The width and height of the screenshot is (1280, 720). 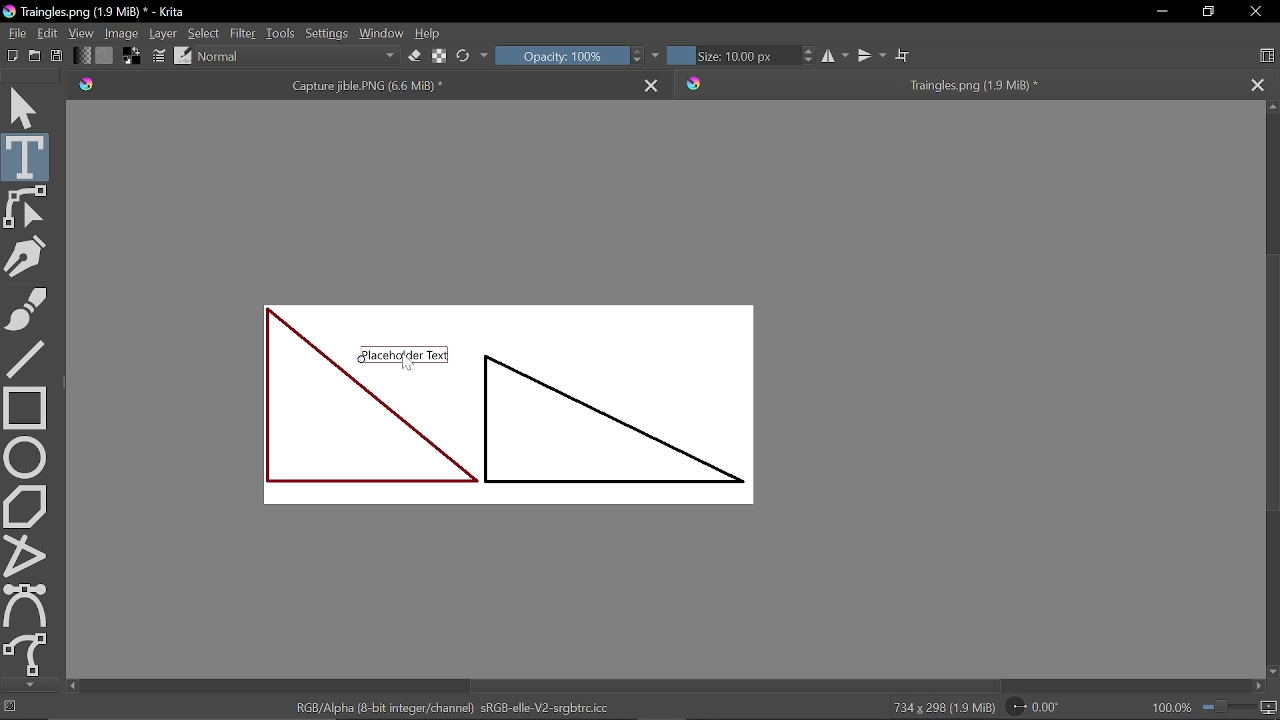 What do you see at coordinates (1210, 12) in the screenshot?
I see `Restore down` at bounding box center [1210, 12].